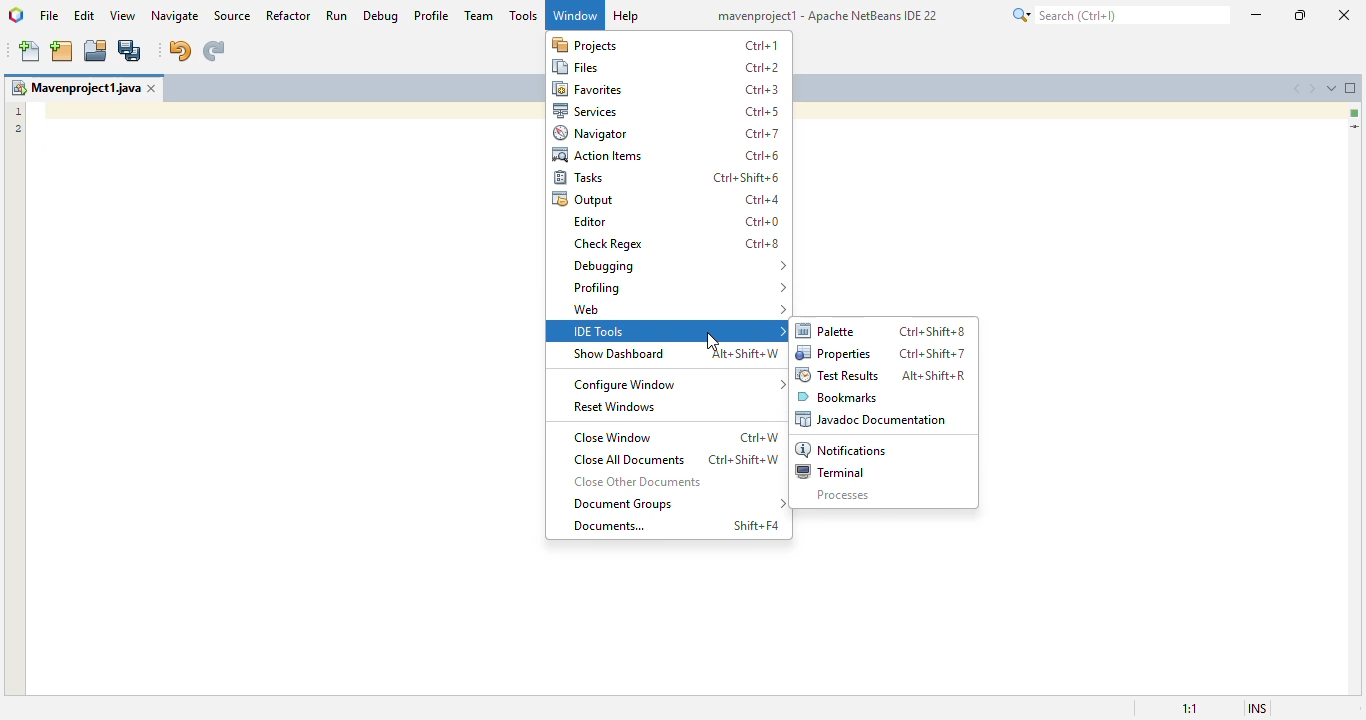  Describe the element at coordinates (213, 51) in the screenshot. I see `redo` at that location.